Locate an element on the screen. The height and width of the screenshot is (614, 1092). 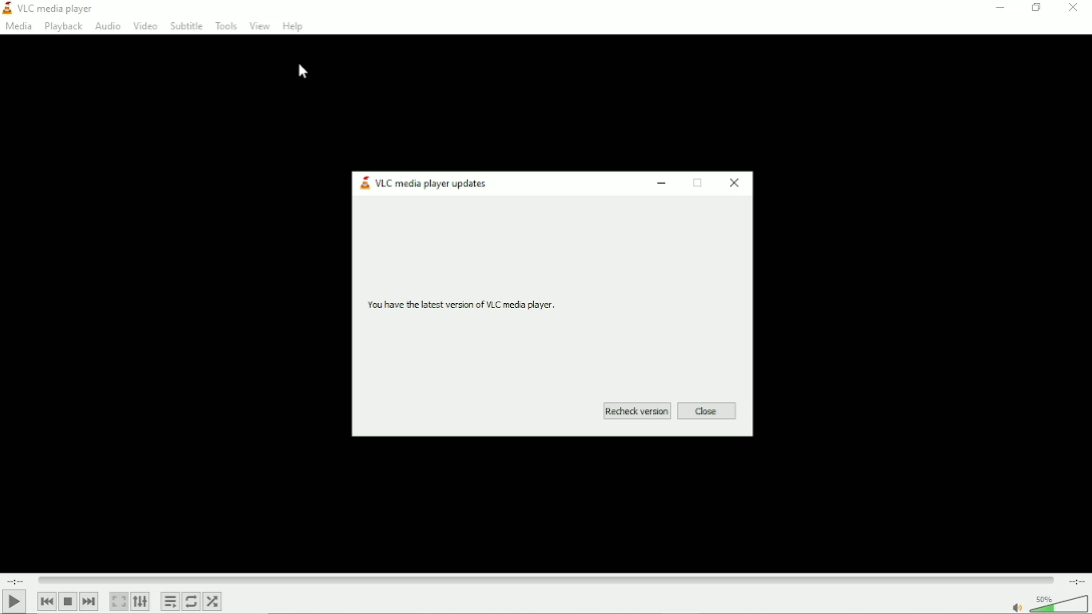
Stop playlist is located at coordinates (68, 602).